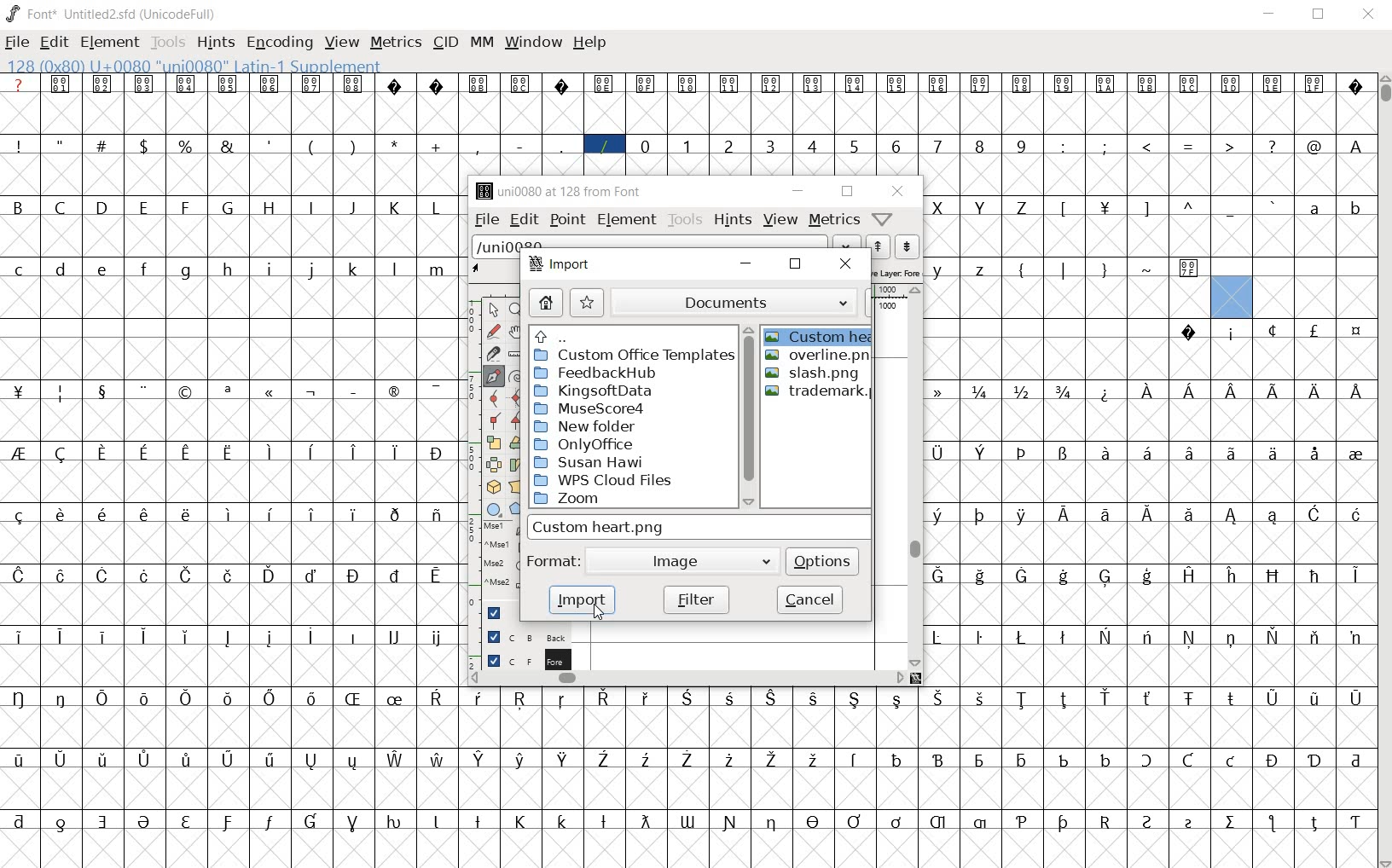 Image resolution: width=1392 pixels, height=868 pixels. What do you see at coordinates (227, 146) in the screenshot?
I see `glyph` at bounding box center [227, 146].